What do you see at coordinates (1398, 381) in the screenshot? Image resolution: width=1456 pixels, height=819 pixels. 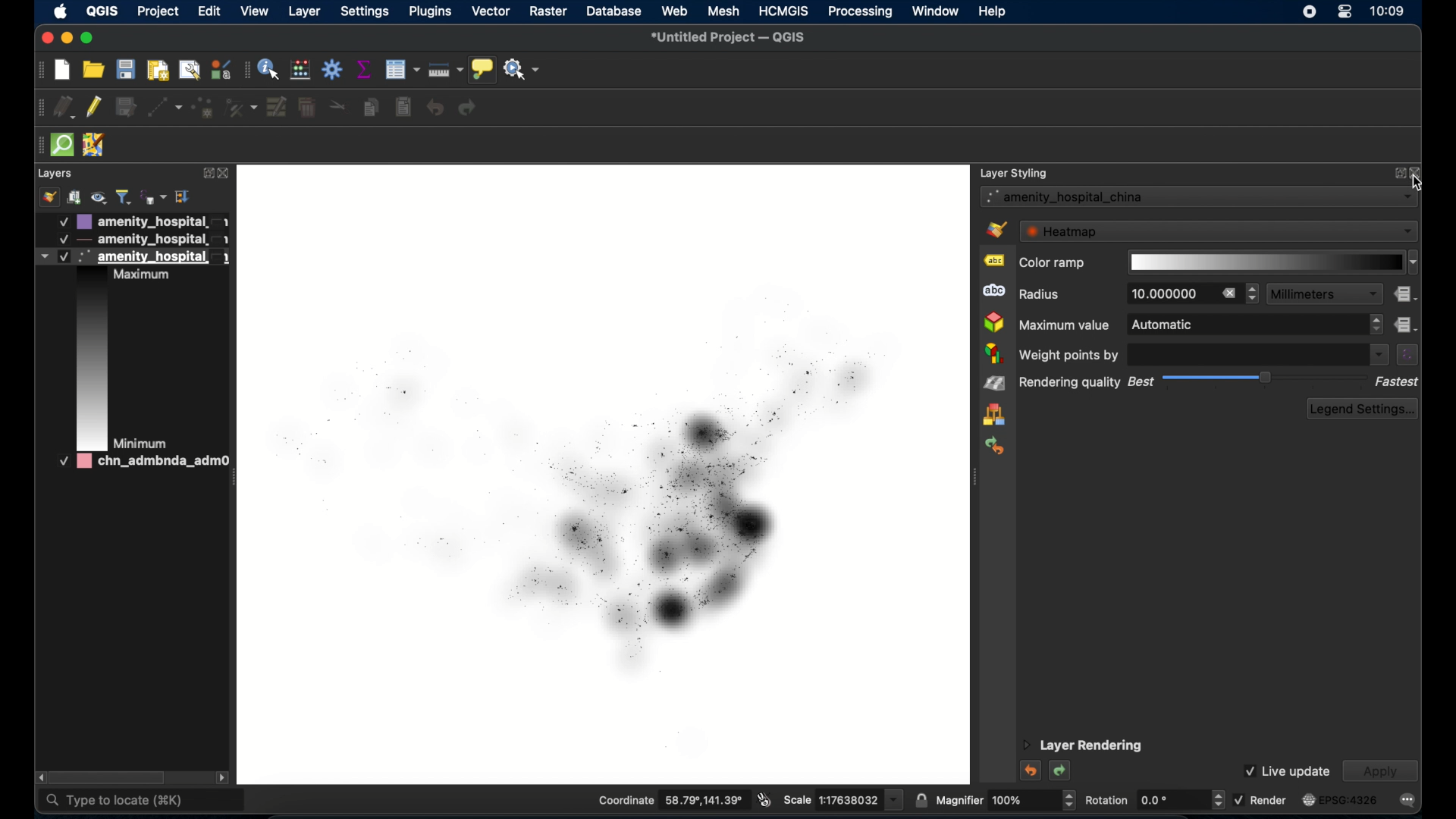 I see `fastest` at bounding box center [1398, 381].